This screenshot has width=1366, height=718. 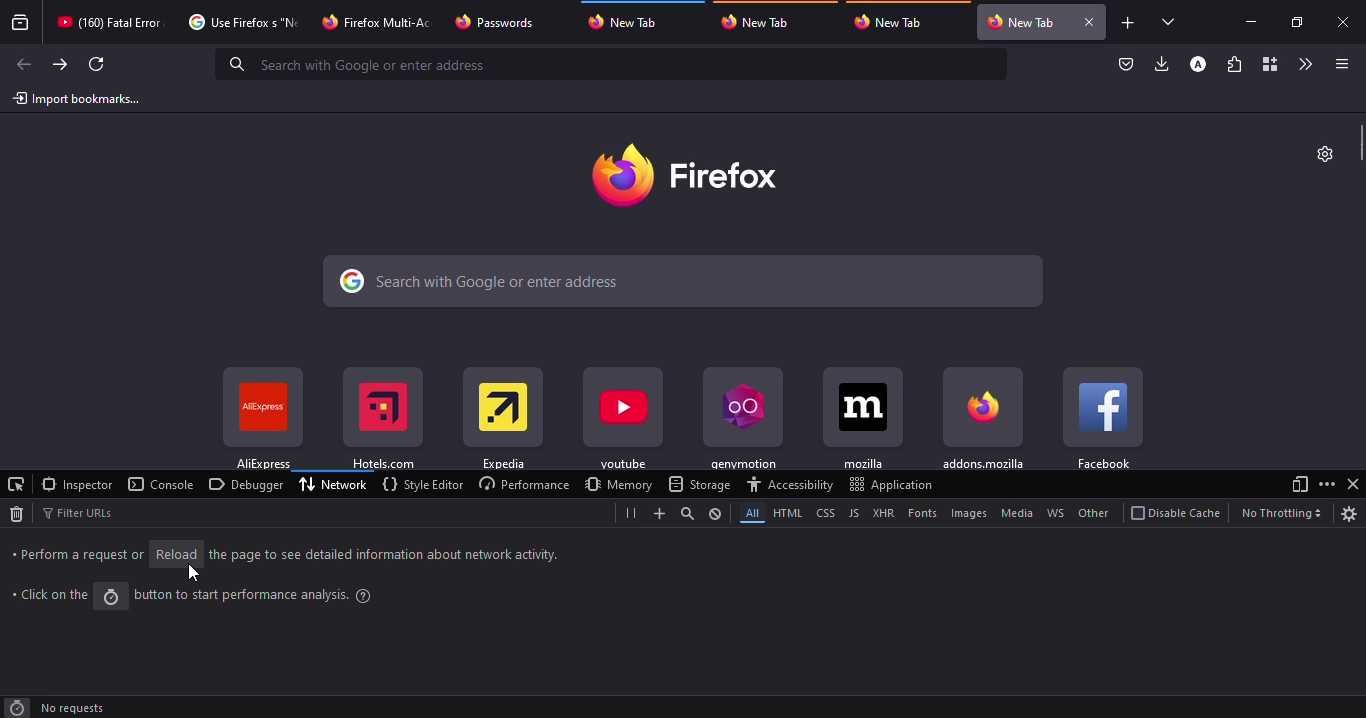 What do you see at coordinates (111, 597) in the screenshot?
I see `watch button` at bounding box center [111, 597].